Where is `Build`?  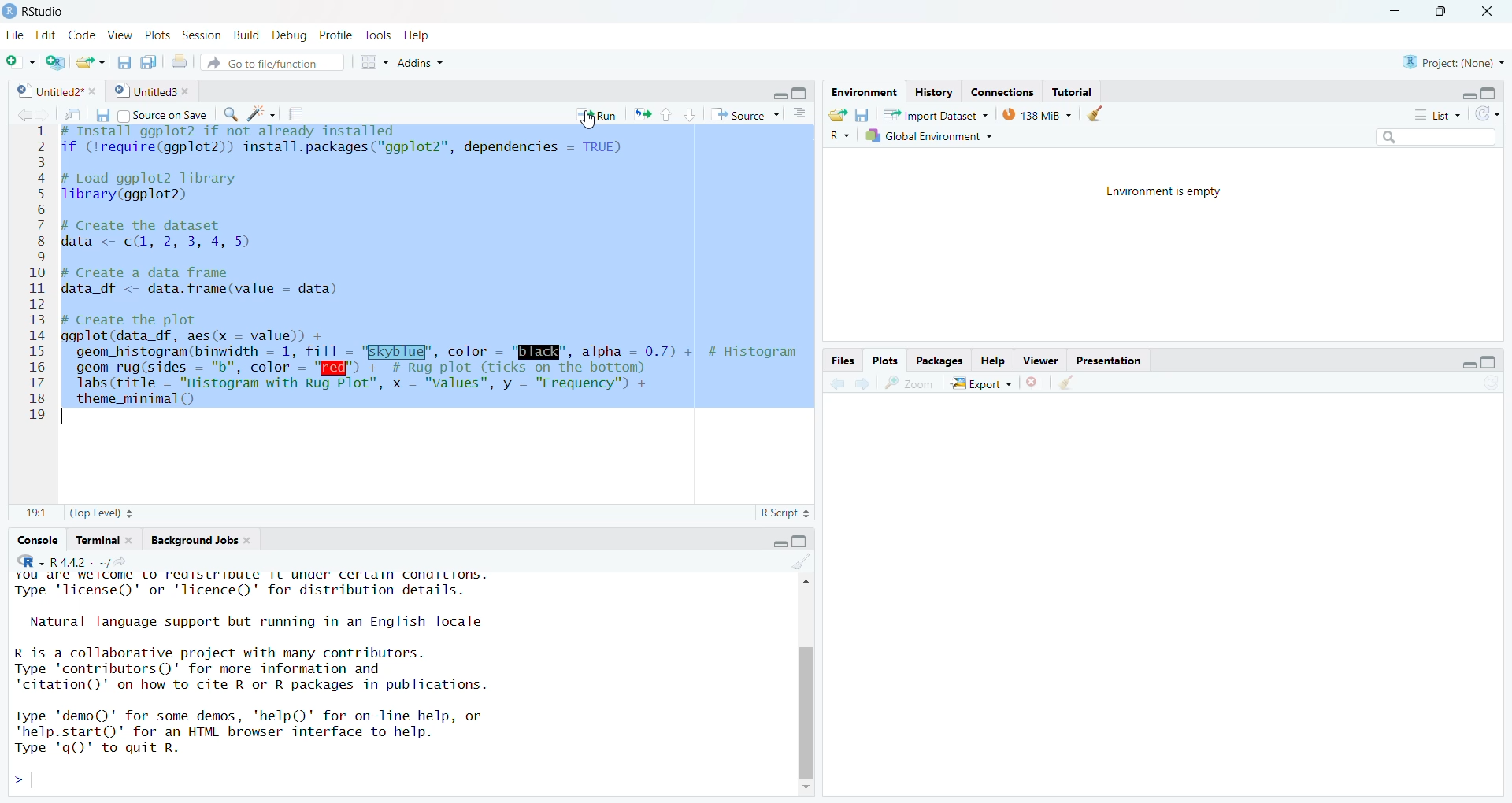
Build is located at coordinates (243, 33).